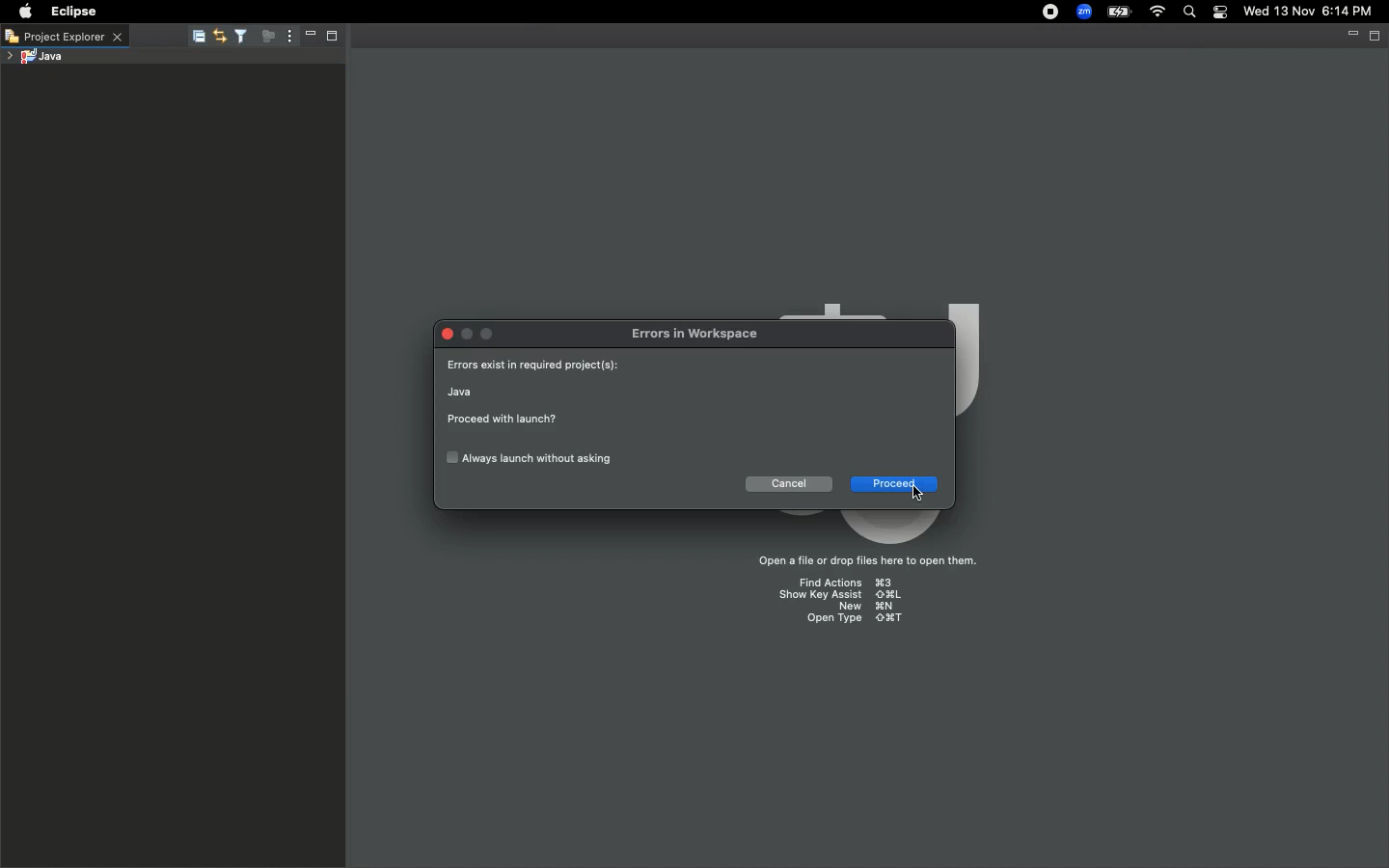 This screenshot has width=1389, height=868. I want to click on Date/time, so click(1316, 11).